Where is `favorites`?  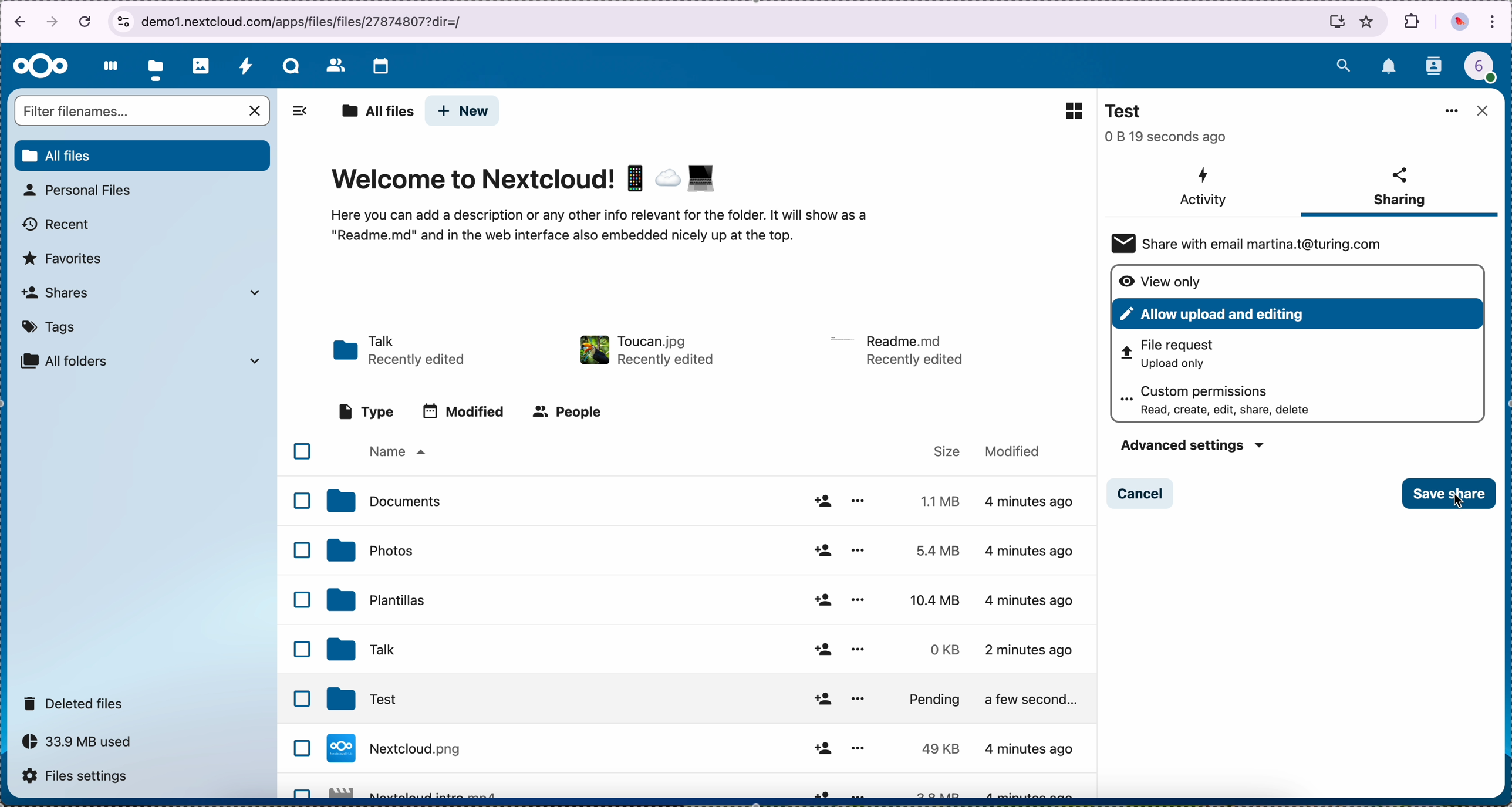
favorites is located at coordinates (1368, 21).